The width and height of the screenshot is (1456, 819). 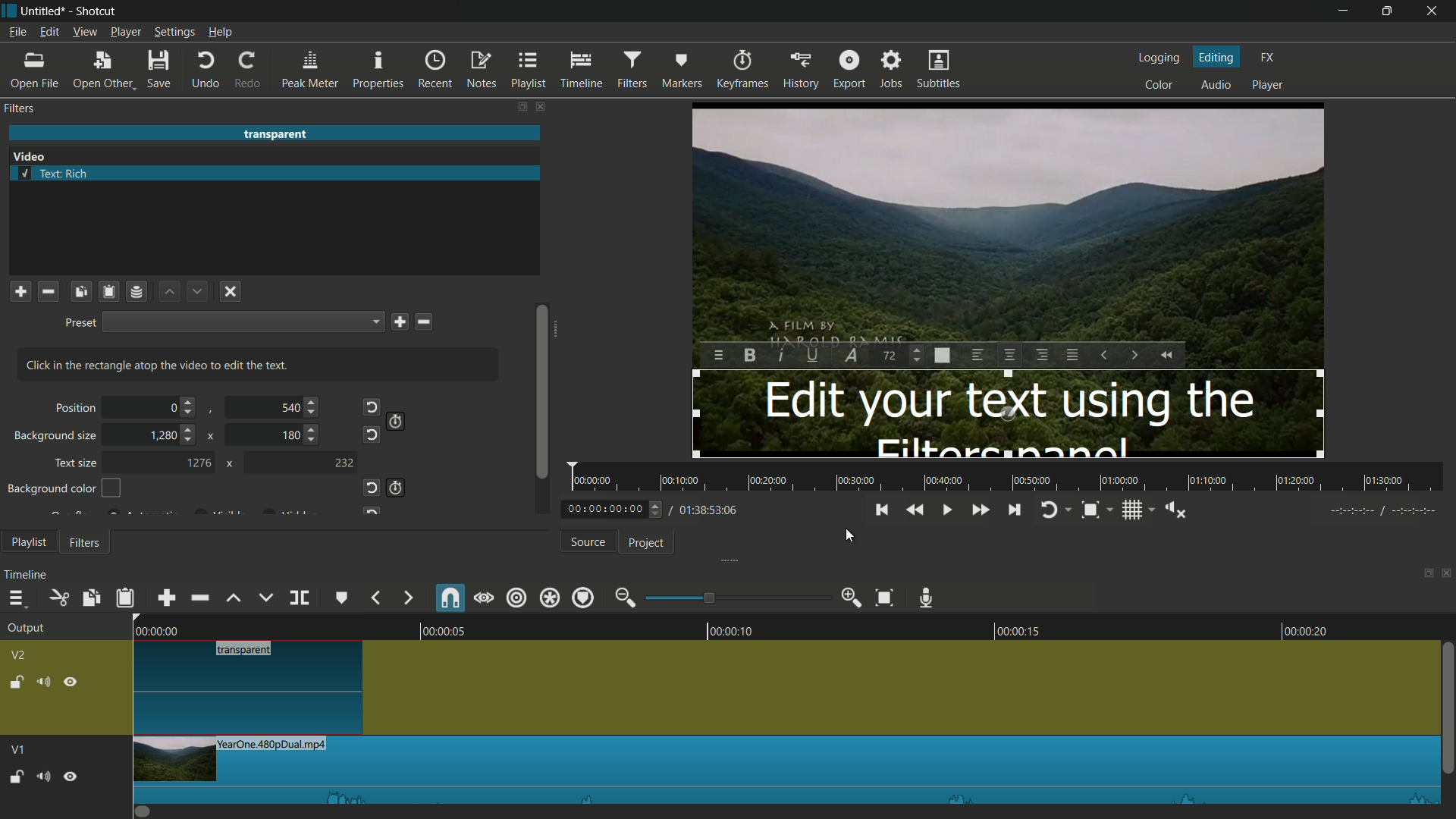 What do you see at coordinates (14, 680) in the screenshot?
I see `lock` at bounding box center [14, 680].